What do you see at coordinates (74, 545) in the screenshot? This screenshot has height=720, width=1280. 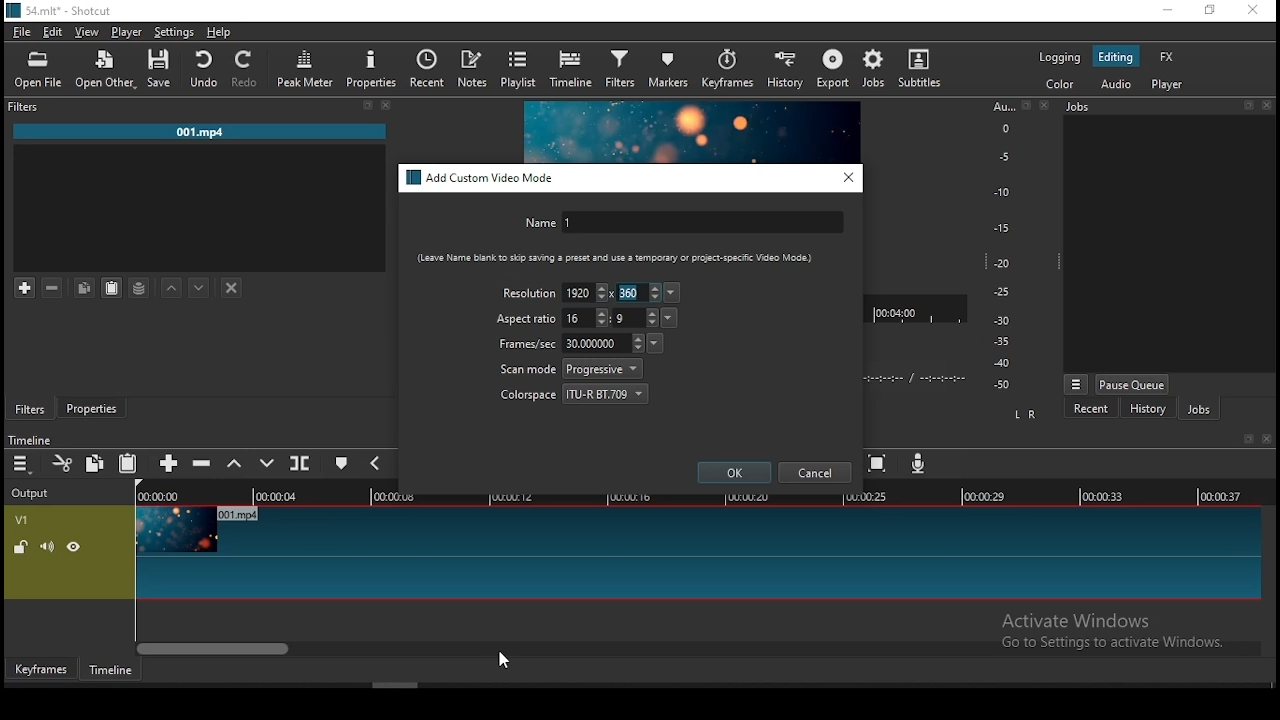 I see `hide video track` at bounding box center [74, 545].